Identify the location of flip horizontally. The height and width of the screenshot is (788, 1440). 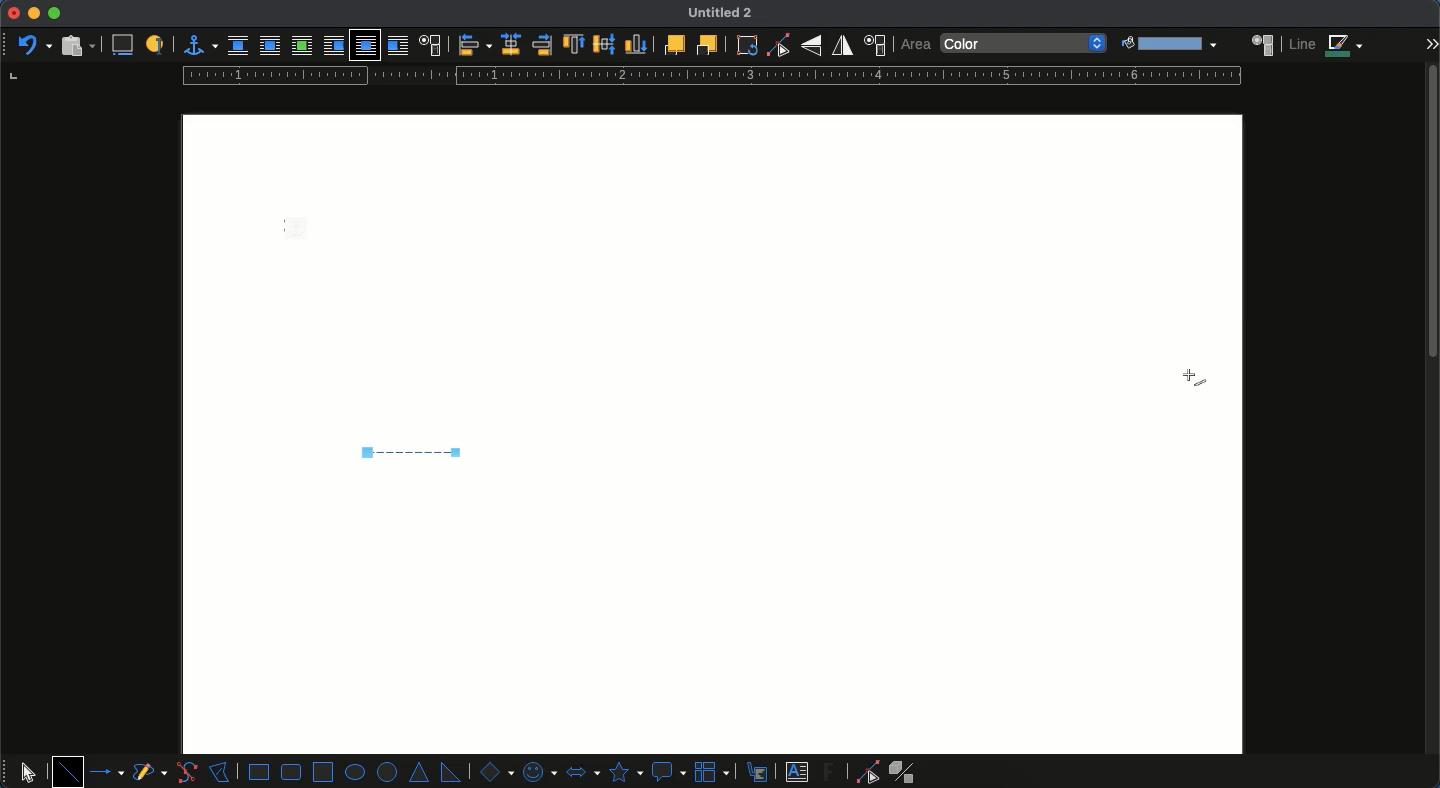
(843, 45).